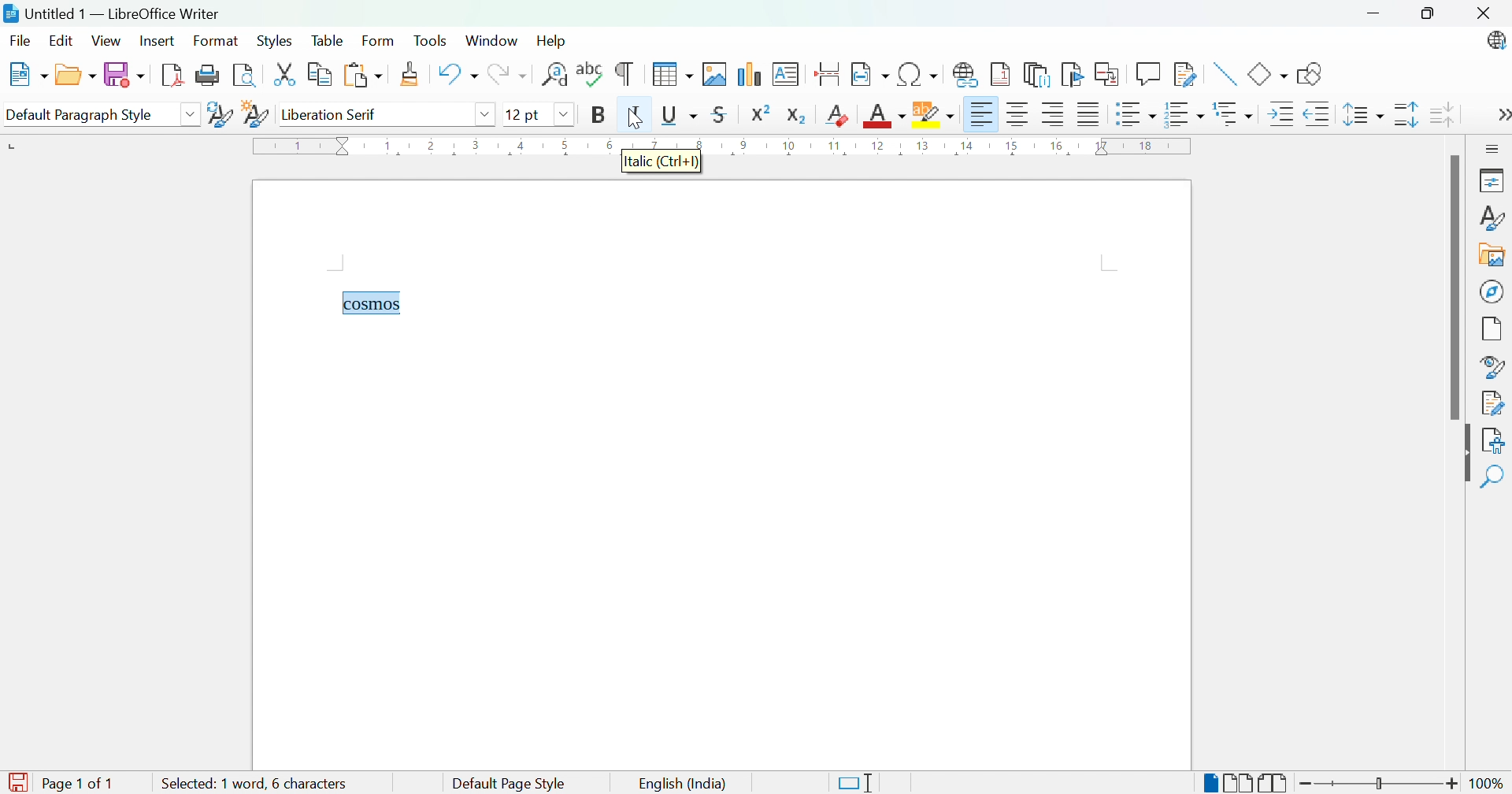 The image size is (1512, 794). I want to click on 12 pt, so click(527, 114).